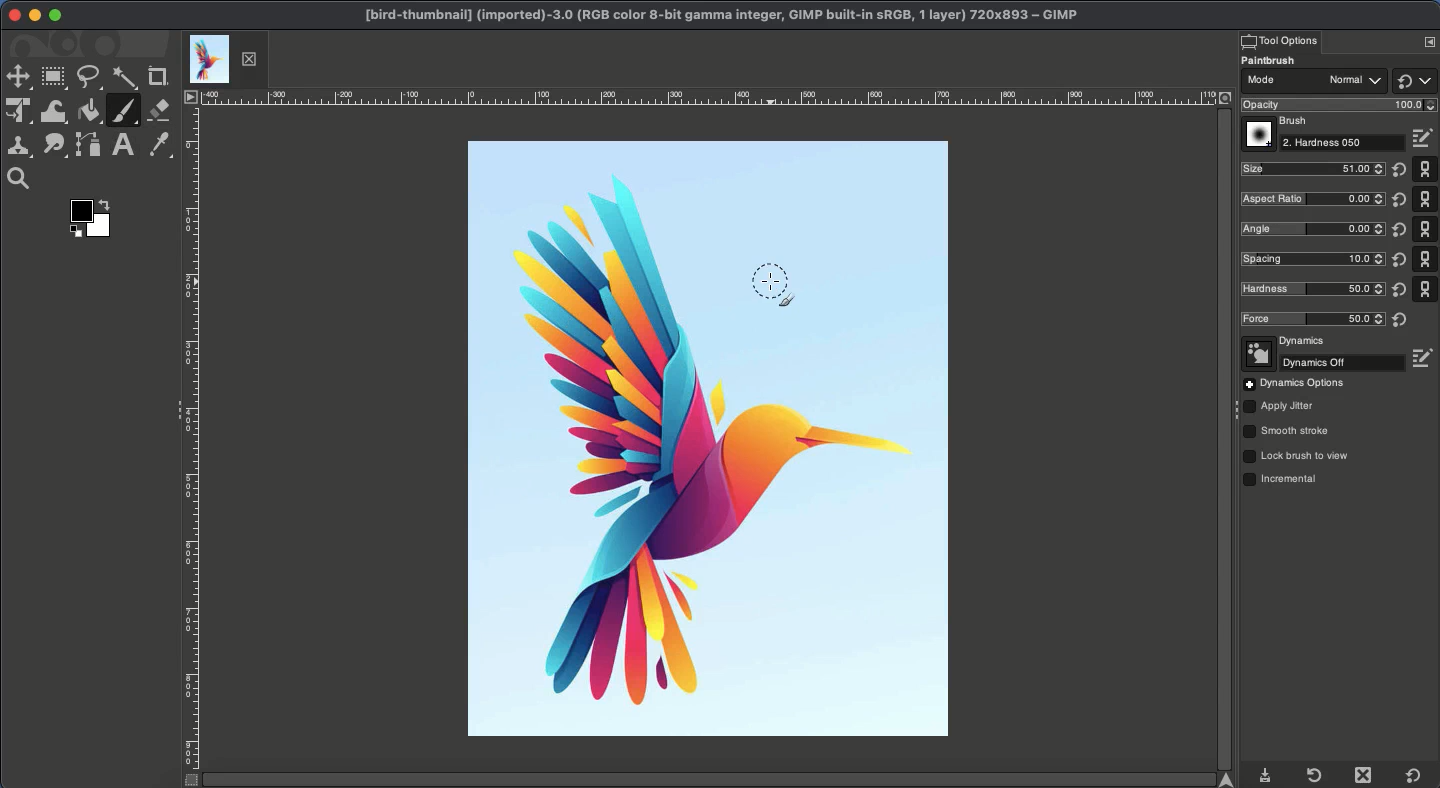 The height and width of the screenshot is (788, 1440). What do you see at coordinates (95, 218) in the screenshot?
I see `Color` at bounding box center [95, 218].